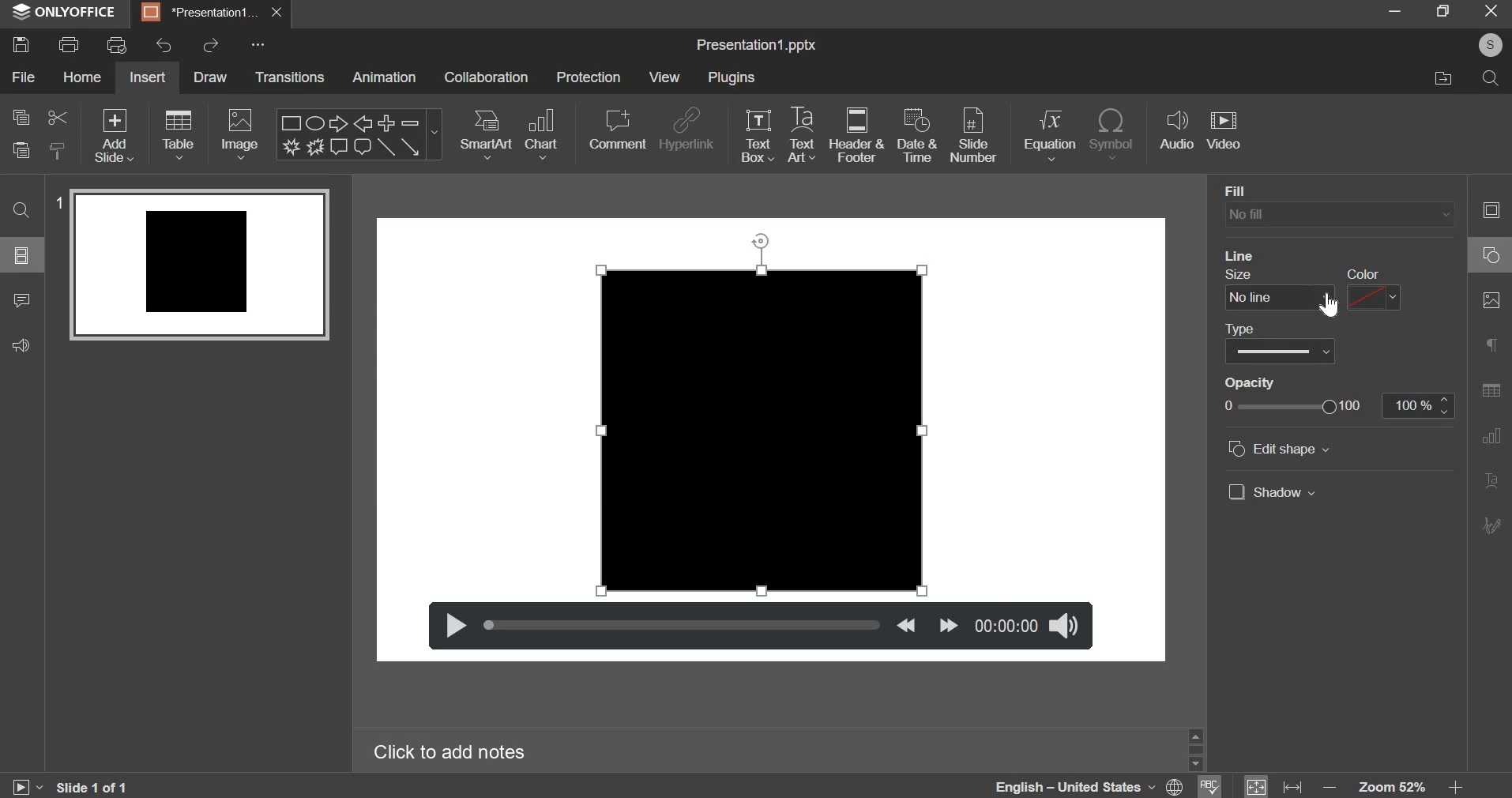  Describe the element at coordinates (1443, 11) in the screenshot. I see `maximize` at that location.